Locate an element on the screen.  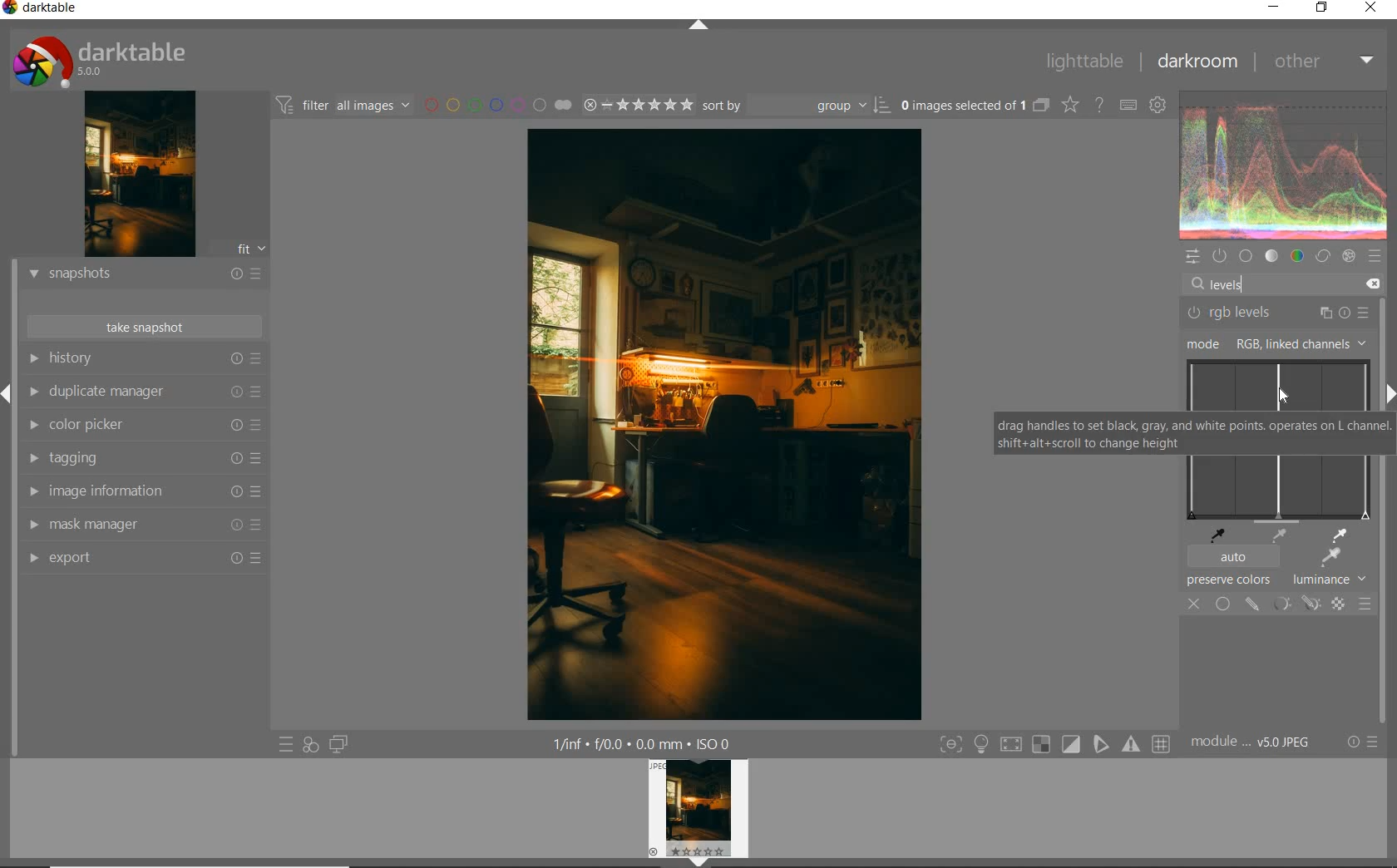
toggle modes is located at coordinates (1050, 743).